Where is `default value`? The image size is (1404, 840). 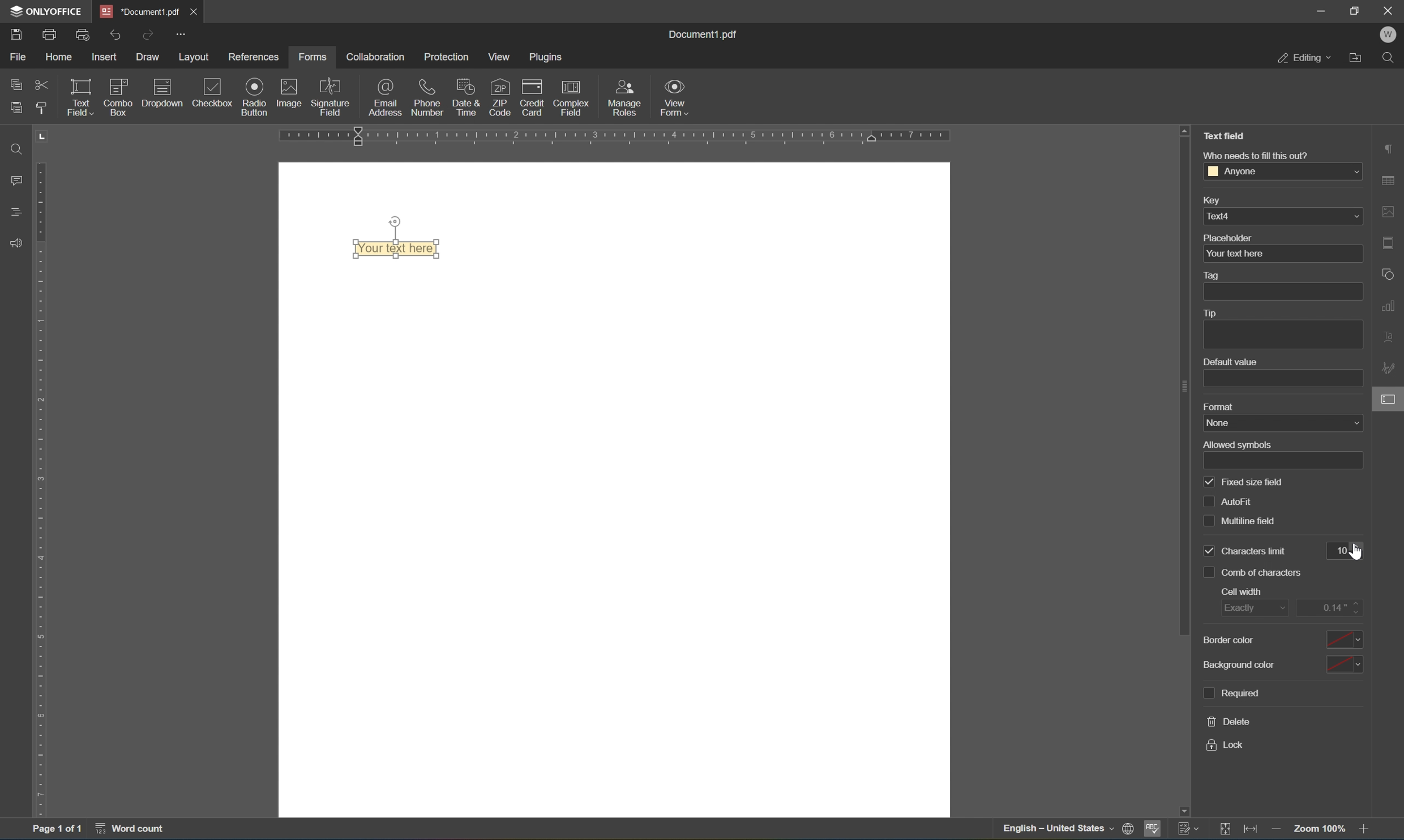 default value is located at coordinates (1231, 361).